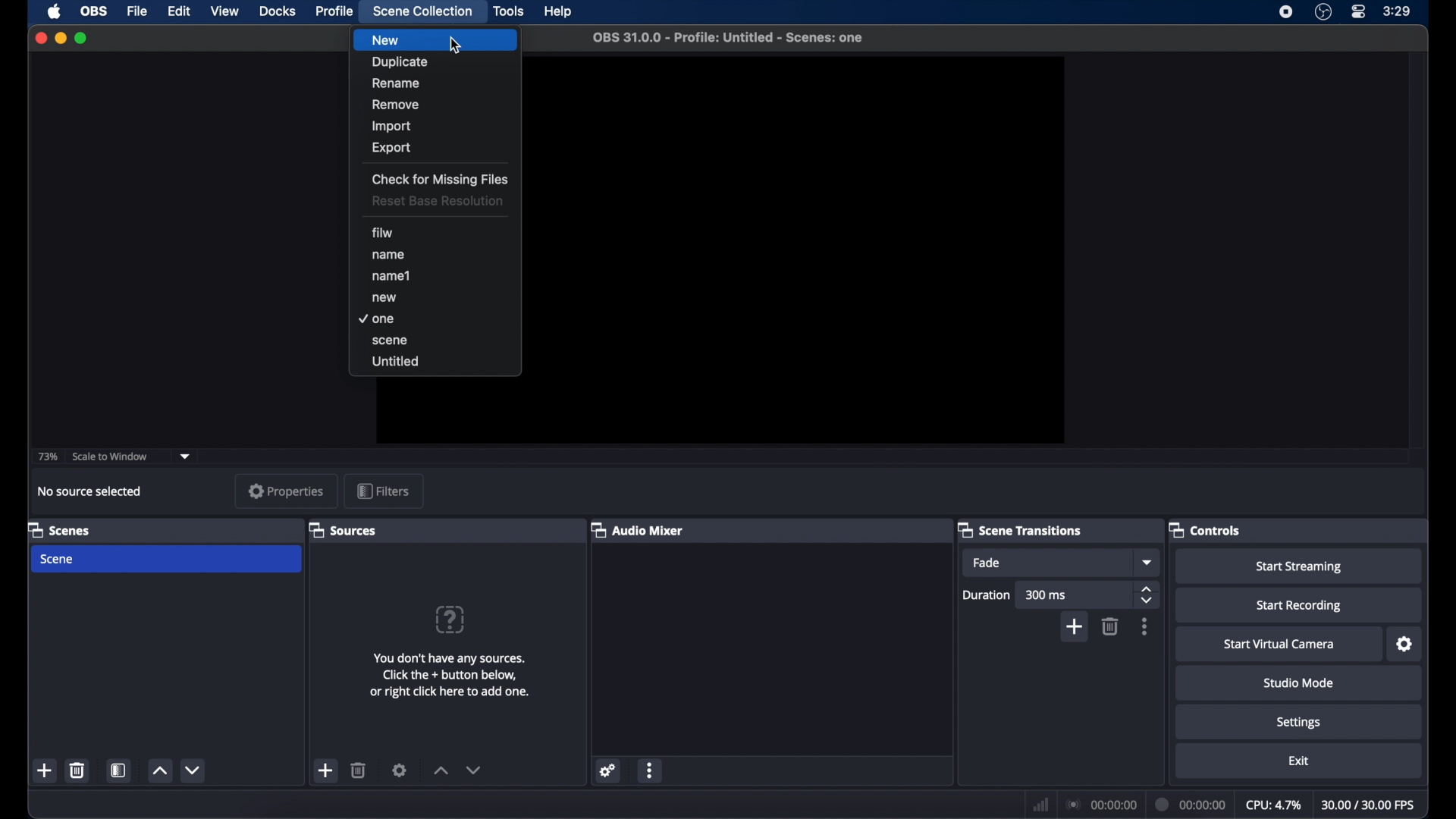  I want to click on Duplicate, so click(437, 61).